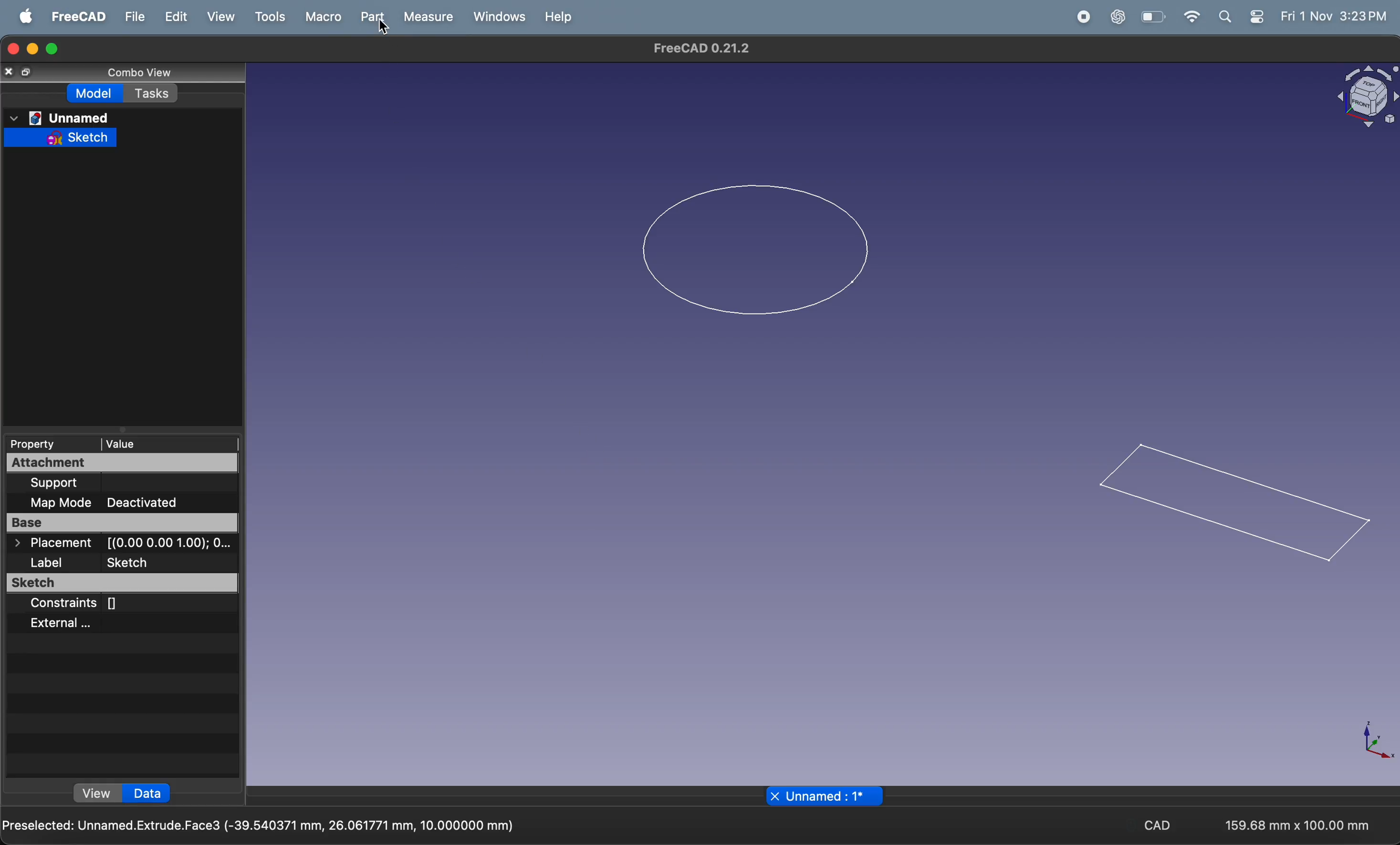 Image resolution: width=1400 pixels, height=845 pixels. What do you see at coordinates (149, 793) in the screenshot?
I see `data` at bounding box center [149, 793].